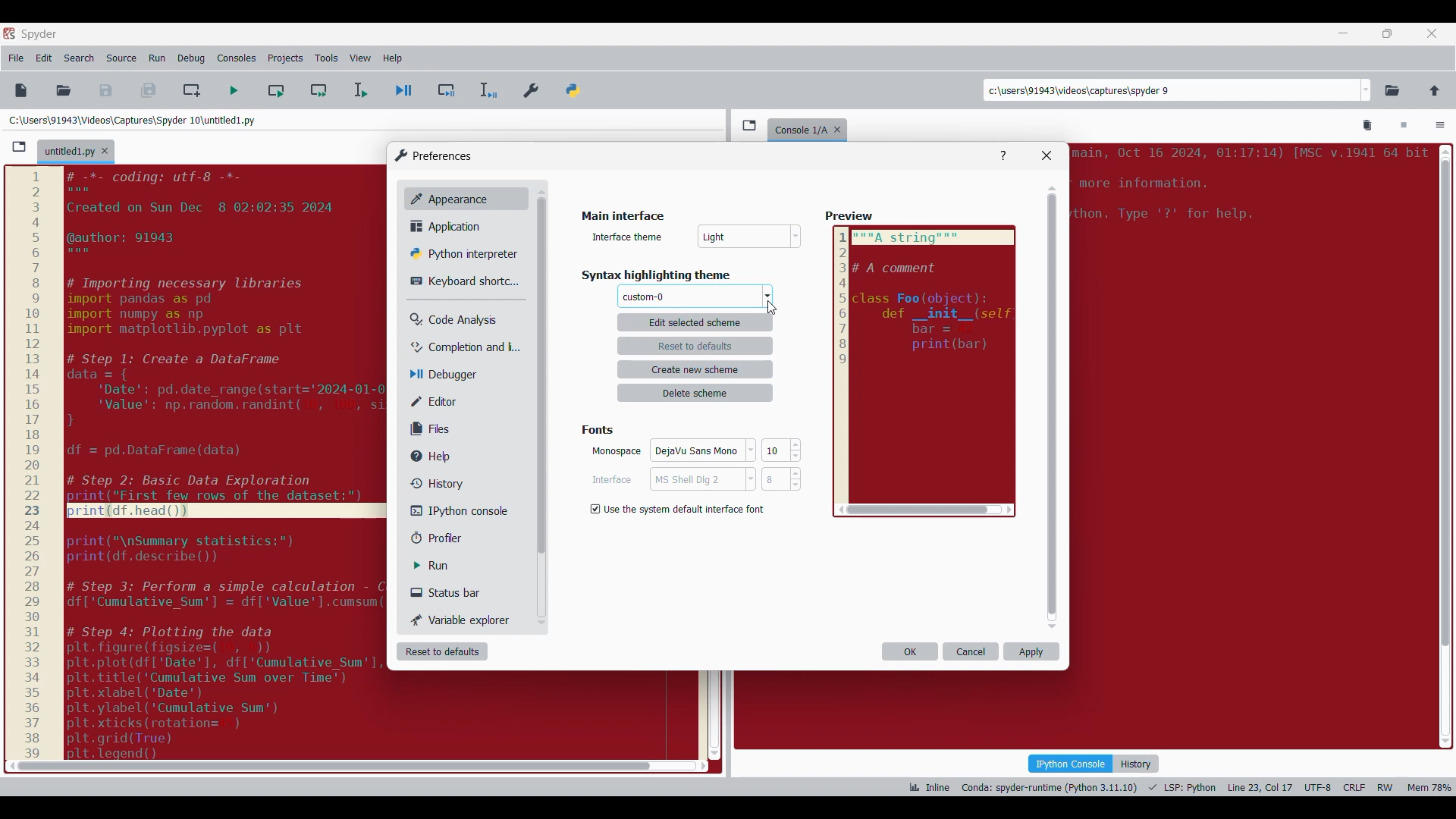 The height and width of the screenshot is (819, 1456). What do you see at coordinates (695, 482) in the screenshot?
I see `Cancel` at bounding box center [695, 482].